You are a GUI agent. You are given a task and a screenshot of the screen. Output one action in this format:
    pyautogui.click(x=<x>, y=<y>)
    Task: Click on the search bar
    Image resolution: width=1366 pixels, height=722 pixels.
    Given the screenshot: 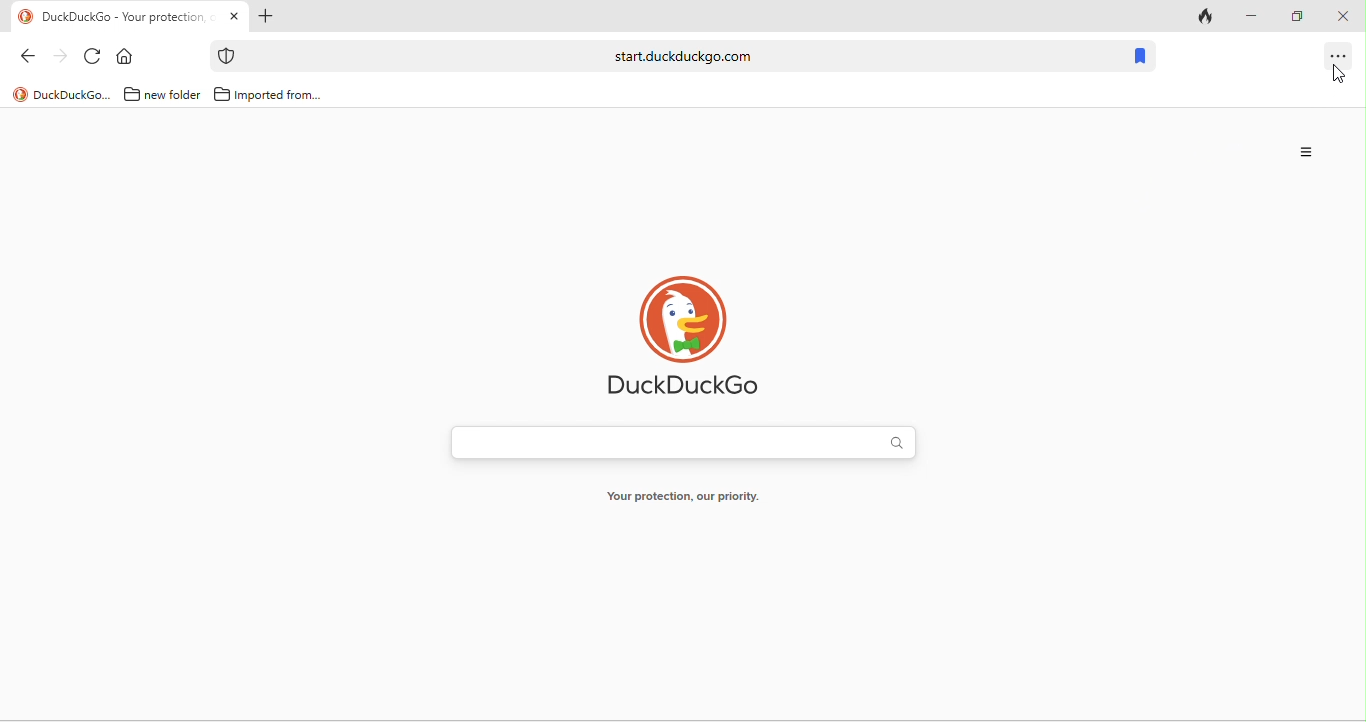 What is the action you would take?
    pyautogui.click(x=683, y=442)
    